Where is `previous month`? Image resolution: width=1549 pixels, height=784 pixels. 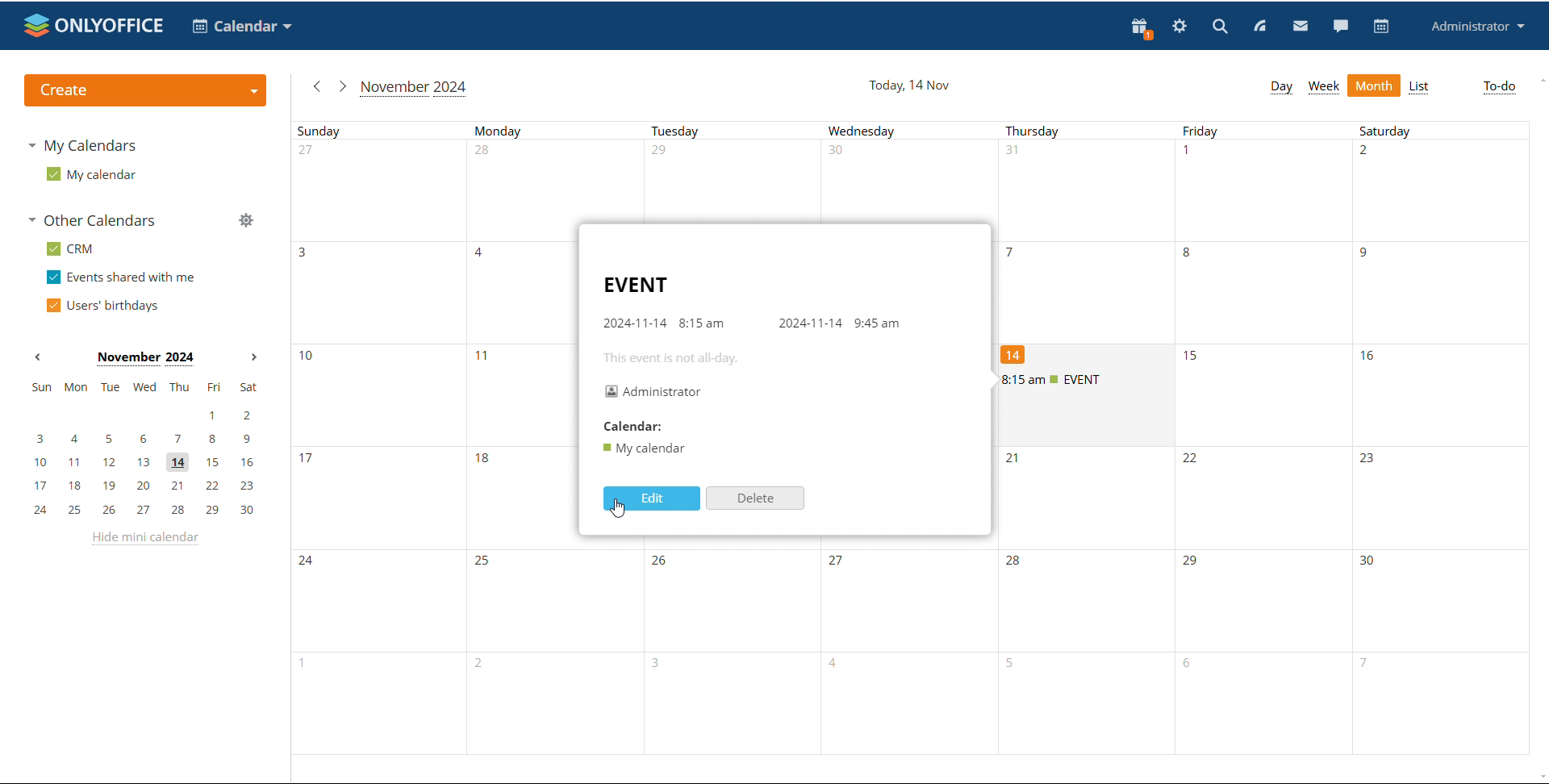
previous month is located at coordinates (37, 357).